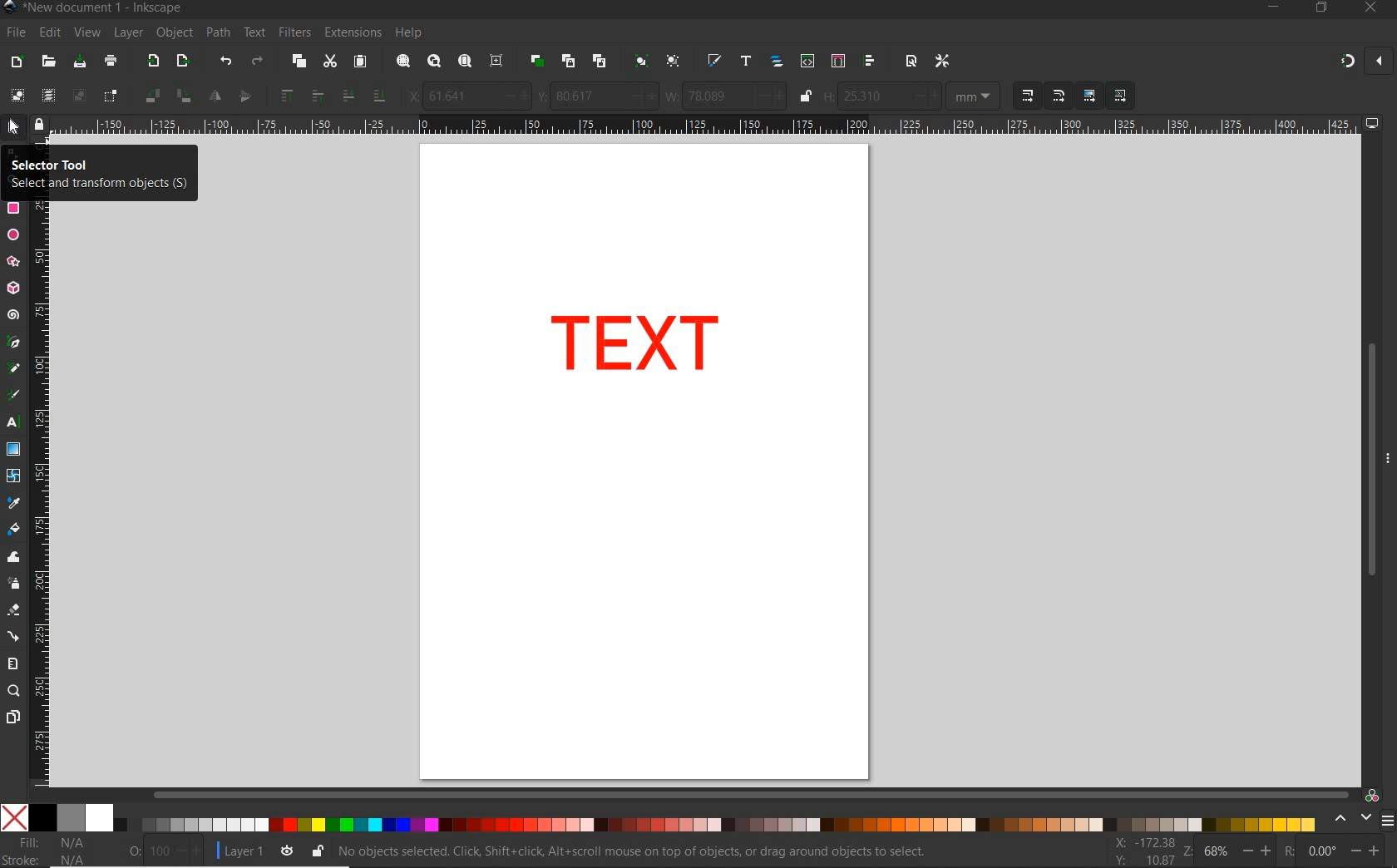  What do you see at coordinates (86, 32) in the screenshot?
I see `view` at bounding box center [86, 32].